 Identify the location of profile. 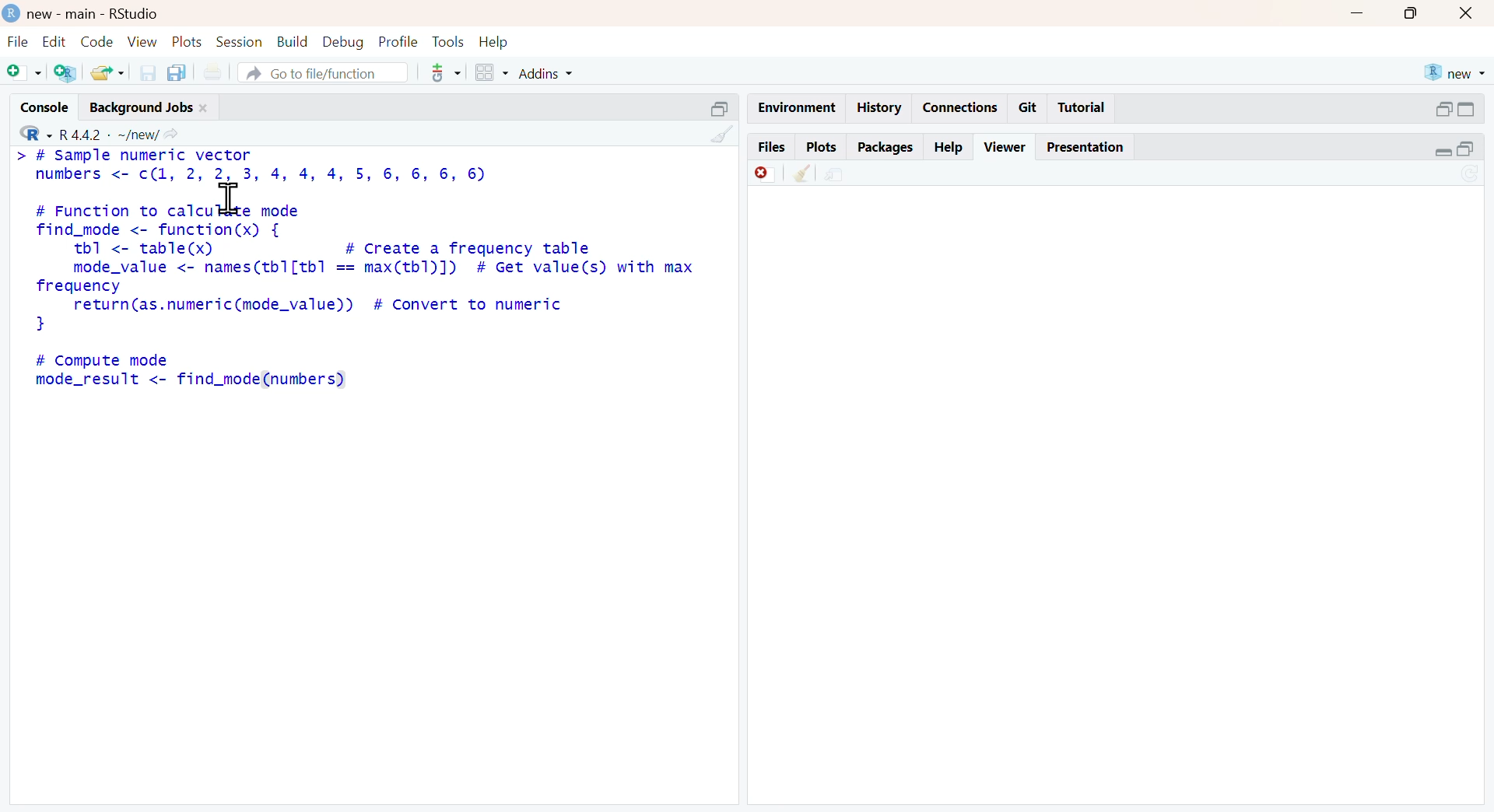
(400, 42).